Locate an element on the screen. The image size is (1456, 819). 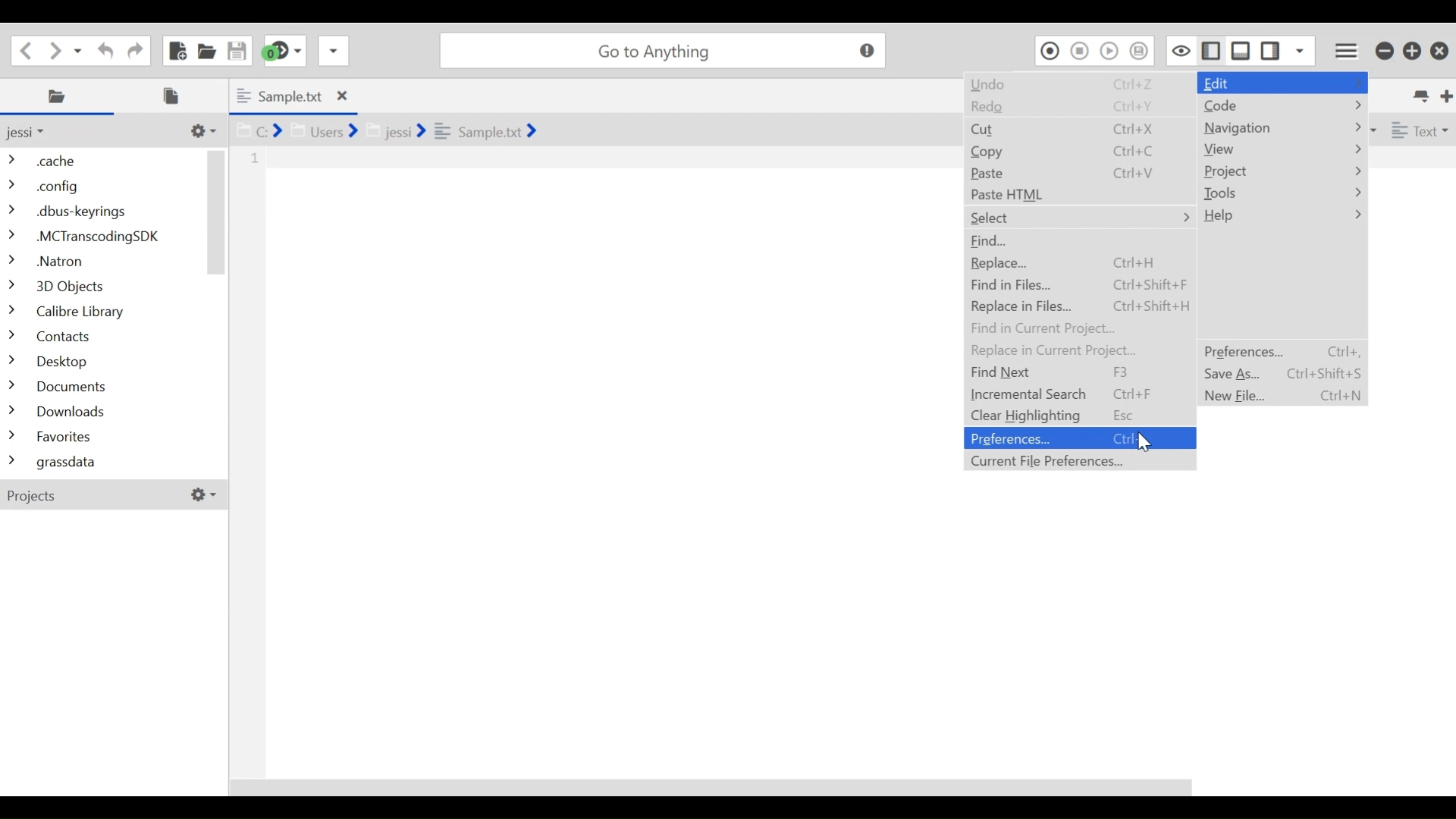
Play last Macros is located at coordinates (1111, 50).